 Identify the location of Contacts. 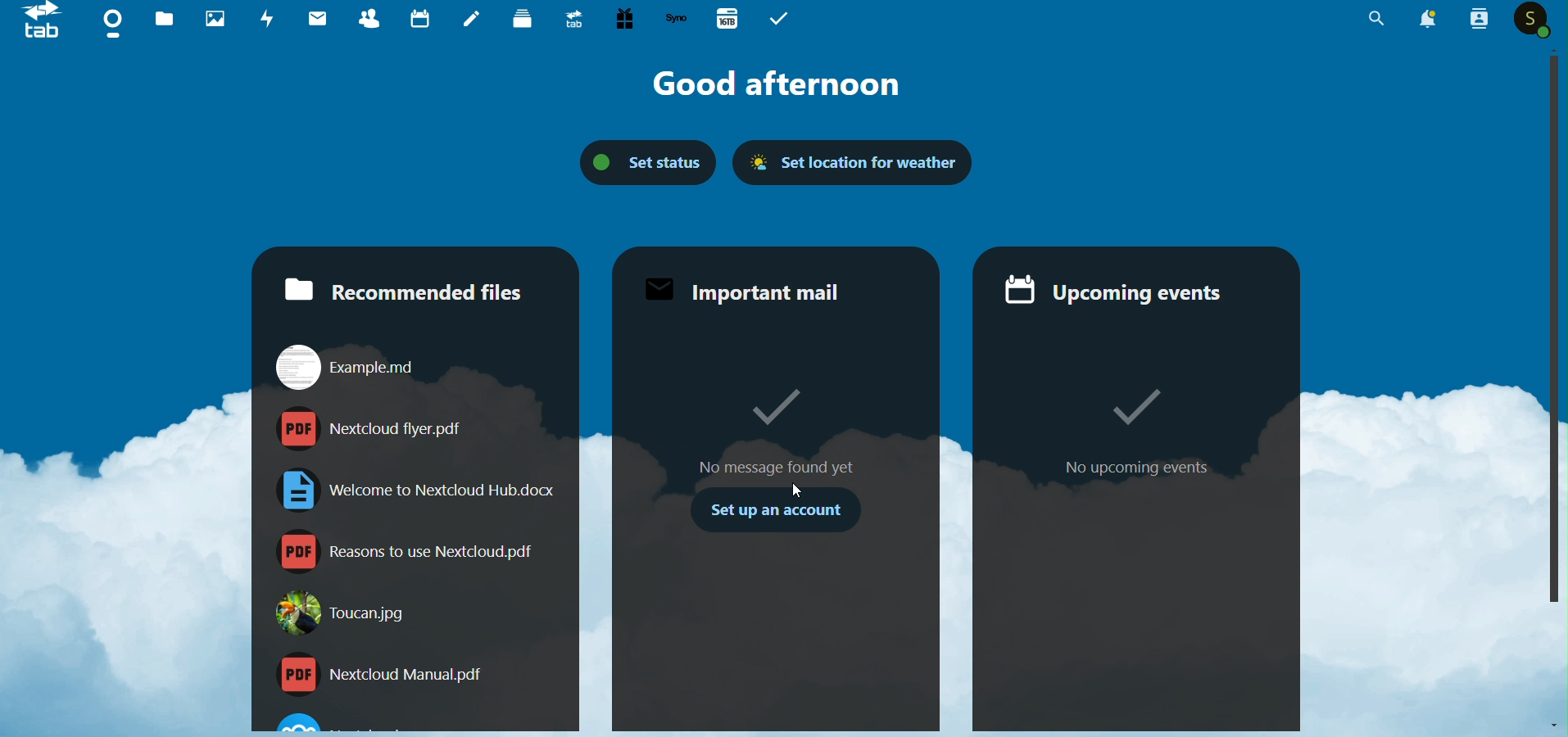
(364, 20).